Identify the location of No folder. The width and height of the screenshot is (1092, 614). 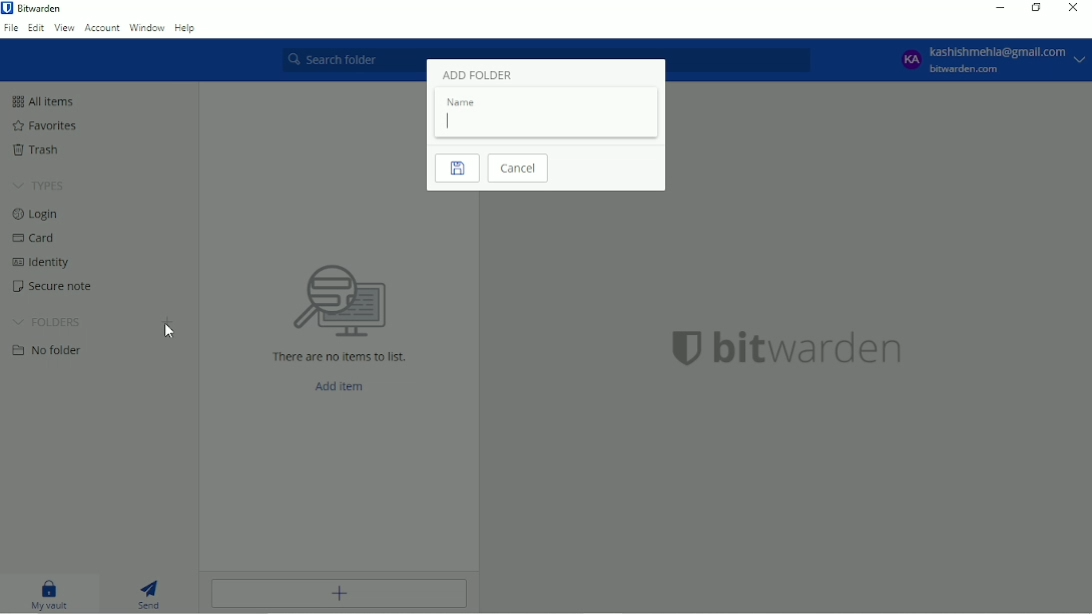
(50, 350).